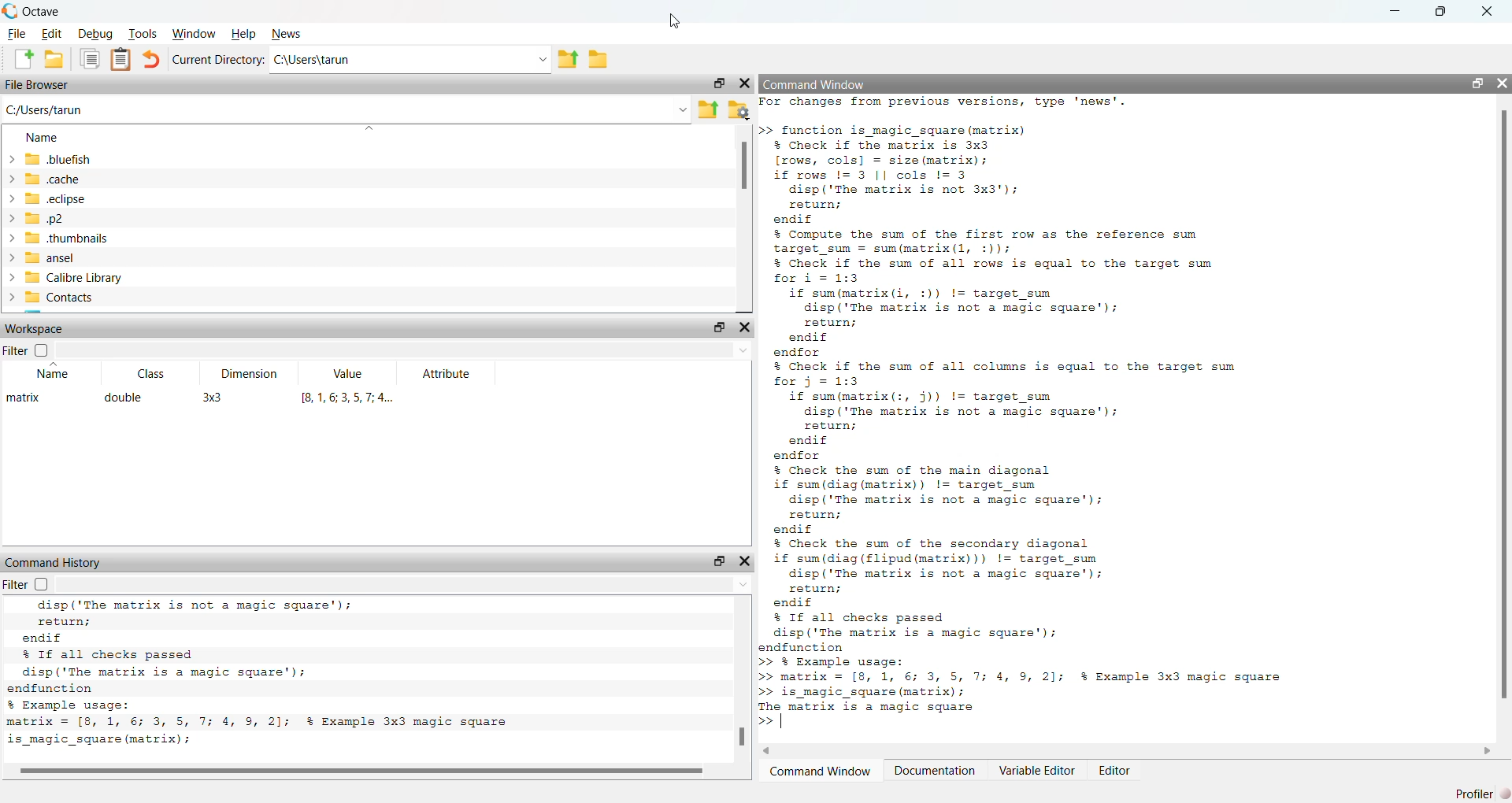 The image size is (1512, 803). Describe the element at coordinates (361, 768) in the screenshot. I see `scroll bar` at that location.